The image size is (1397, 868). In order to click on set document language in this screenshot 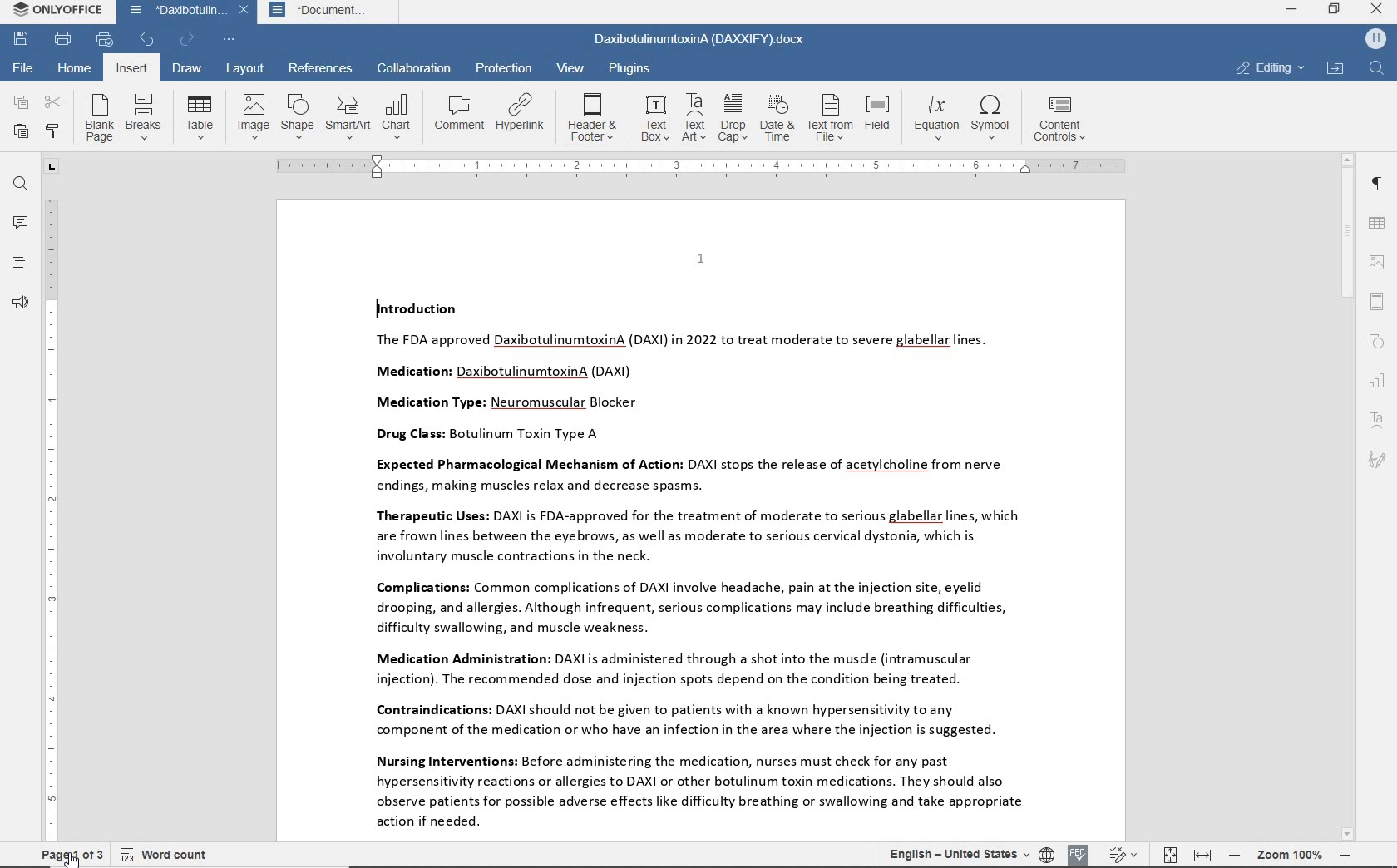, I will do `click(1046, 854)`.